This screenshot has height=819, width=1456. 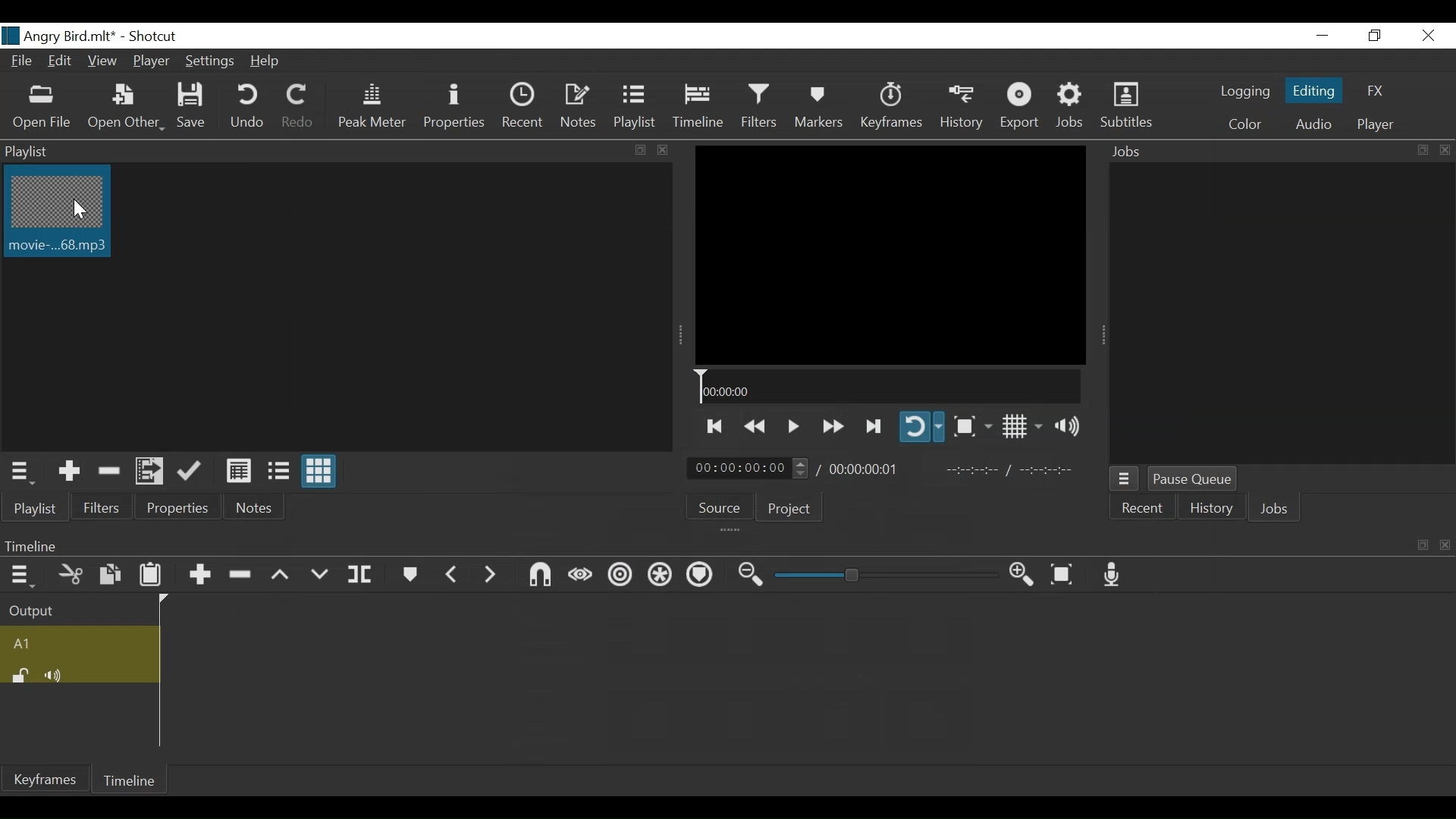 I want to click on Play quickly forward, so click(x=831, y=425).